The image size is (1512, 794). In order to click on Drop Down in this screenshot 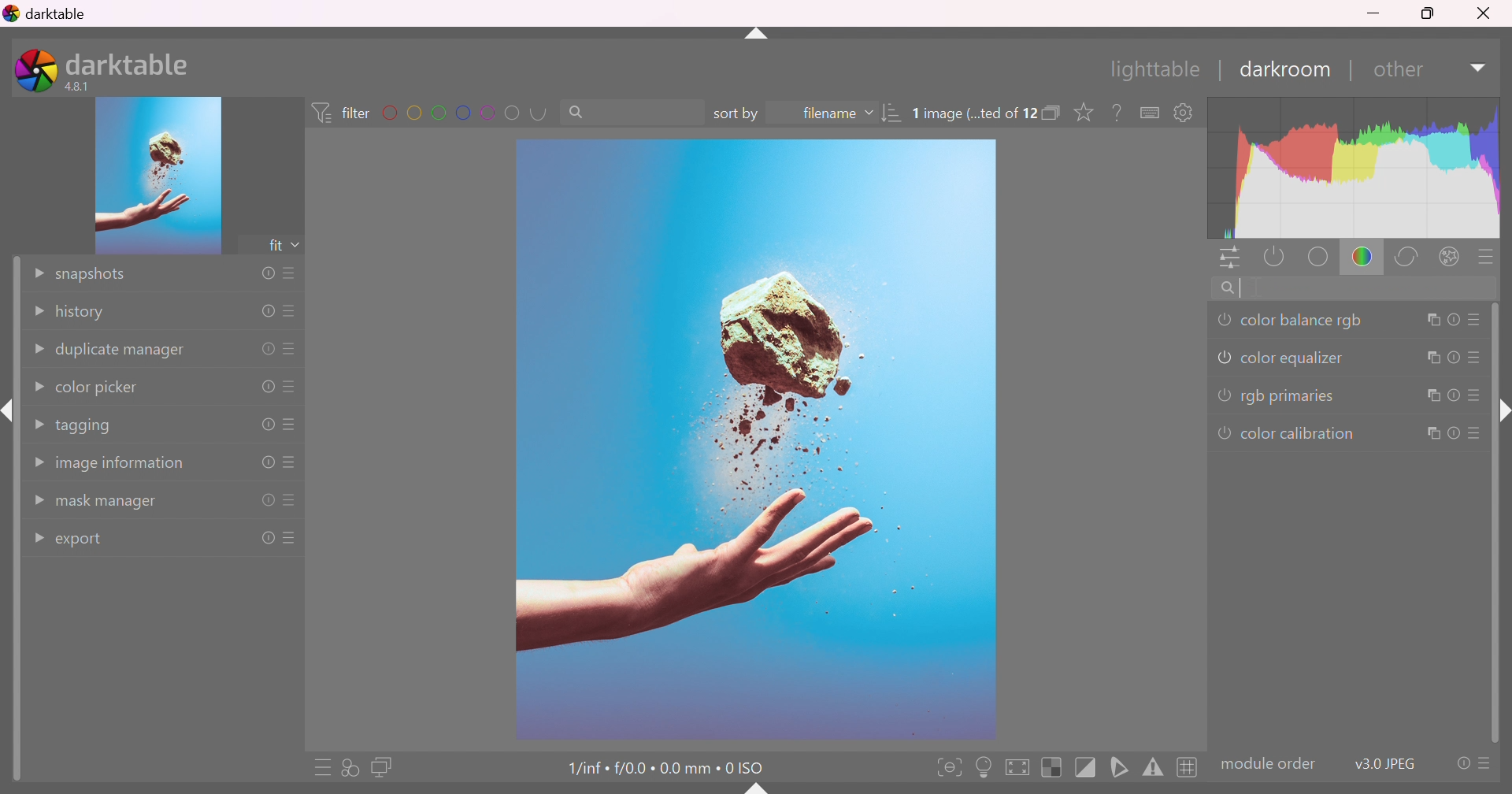, I will do `click(40, 348)`.